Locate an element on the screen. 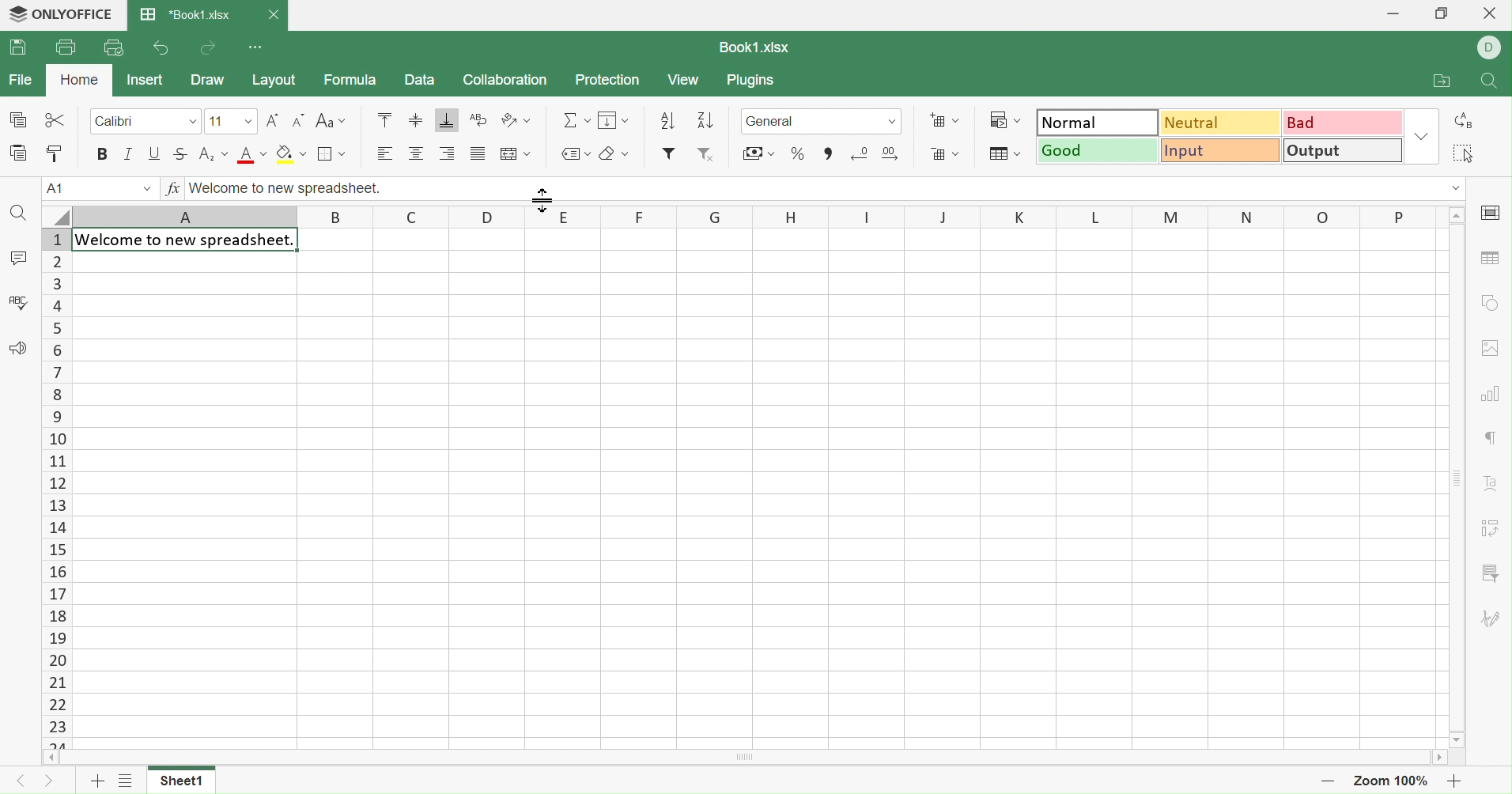 The height and width of the screenshot is (794, 1512). Layout is located at coordinates (277, 81).